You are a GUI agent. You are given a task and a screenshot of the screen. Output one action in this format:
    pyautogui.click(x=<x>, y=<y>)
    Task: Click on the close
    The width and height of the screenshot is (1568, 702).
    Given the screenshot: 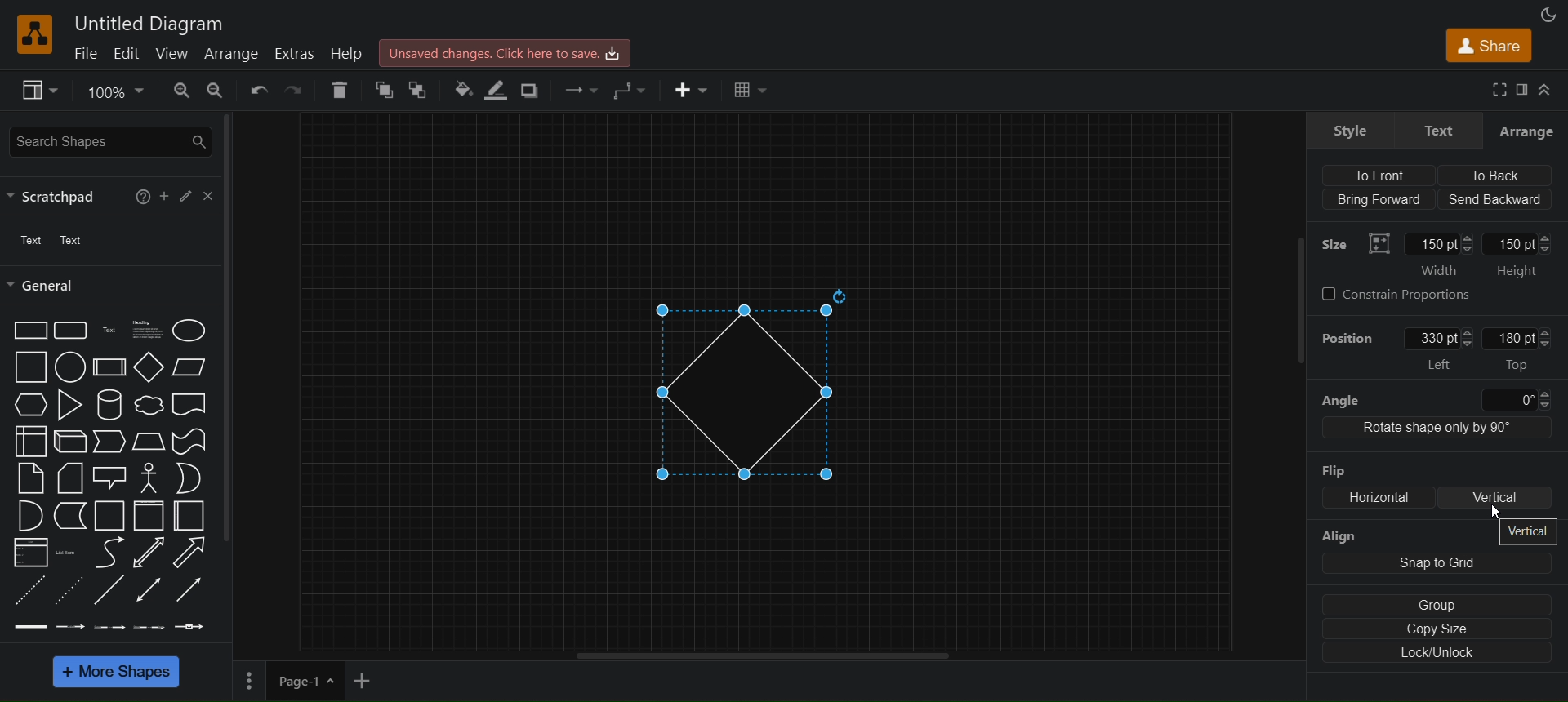 What is the action you would take?
    pyautogui.click(x=207, y=194)
    